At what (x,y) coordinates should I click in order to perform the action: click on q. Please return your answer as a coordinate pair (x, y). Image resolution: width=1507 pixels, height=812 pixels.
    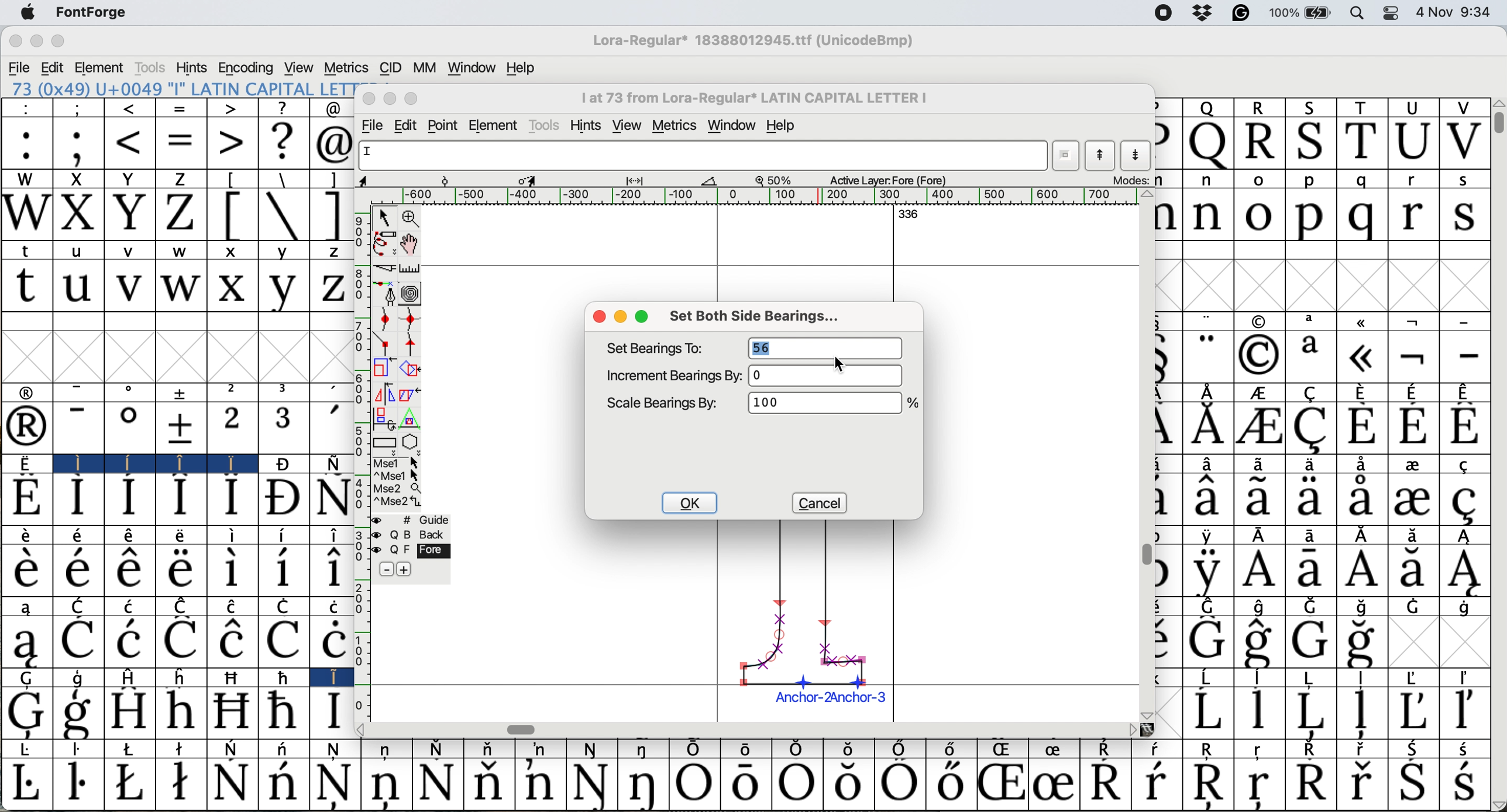
    Looking at the image, I should click on (1360, 180).